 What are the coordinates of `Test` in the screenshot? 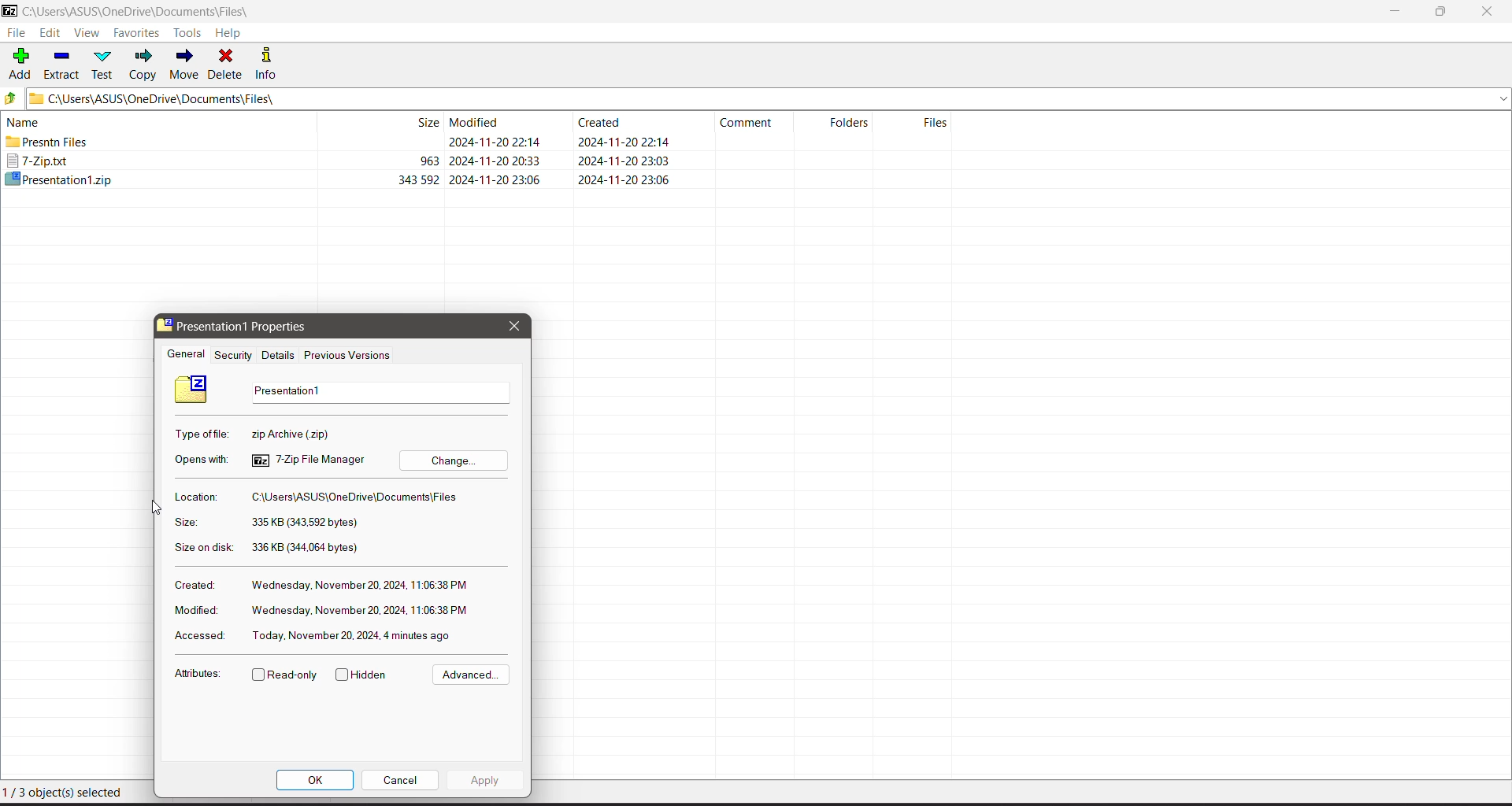 It's located at (105, 64).